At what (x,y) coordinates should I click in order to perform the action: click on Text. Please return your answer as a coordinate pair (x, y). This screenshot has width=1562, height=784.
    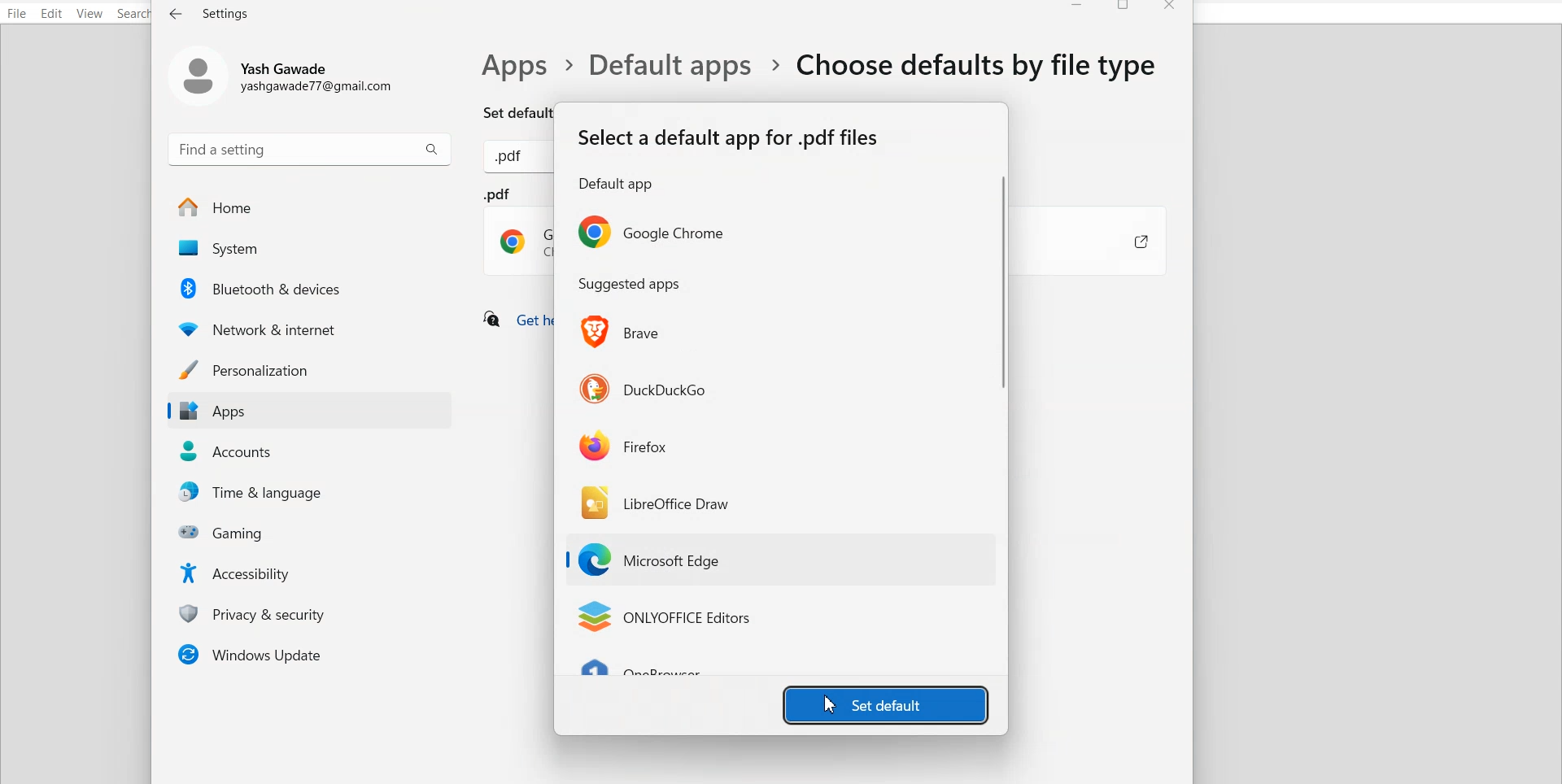
    Looking at the image, I should click on (211, 13).